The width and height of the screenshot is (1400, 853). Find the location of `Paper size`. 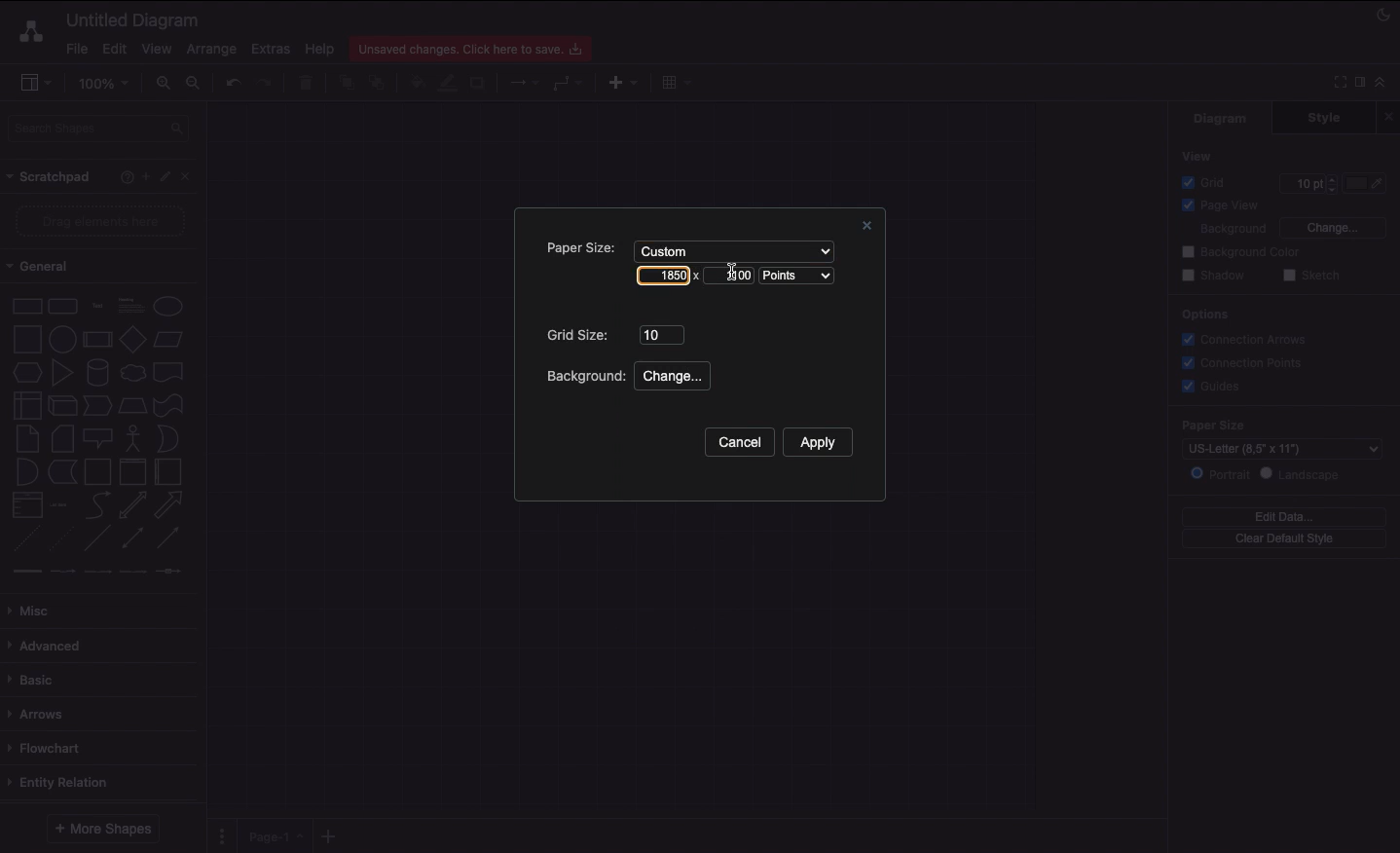

Paper size is located at coordinates (1268, 426).